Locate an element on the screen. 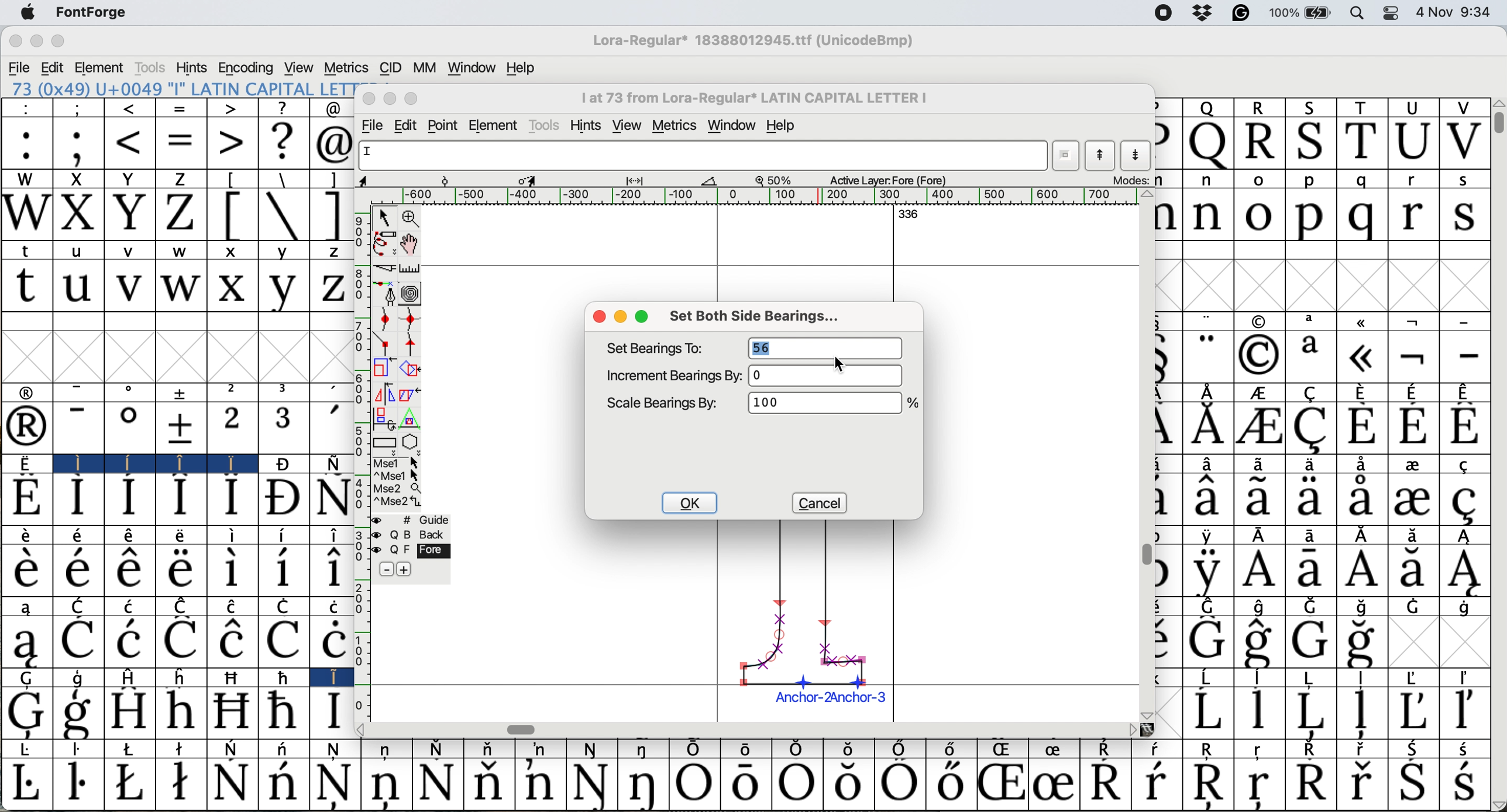 This screenshot has height=812, width=1507. ? is located at coordinates (283, 142).